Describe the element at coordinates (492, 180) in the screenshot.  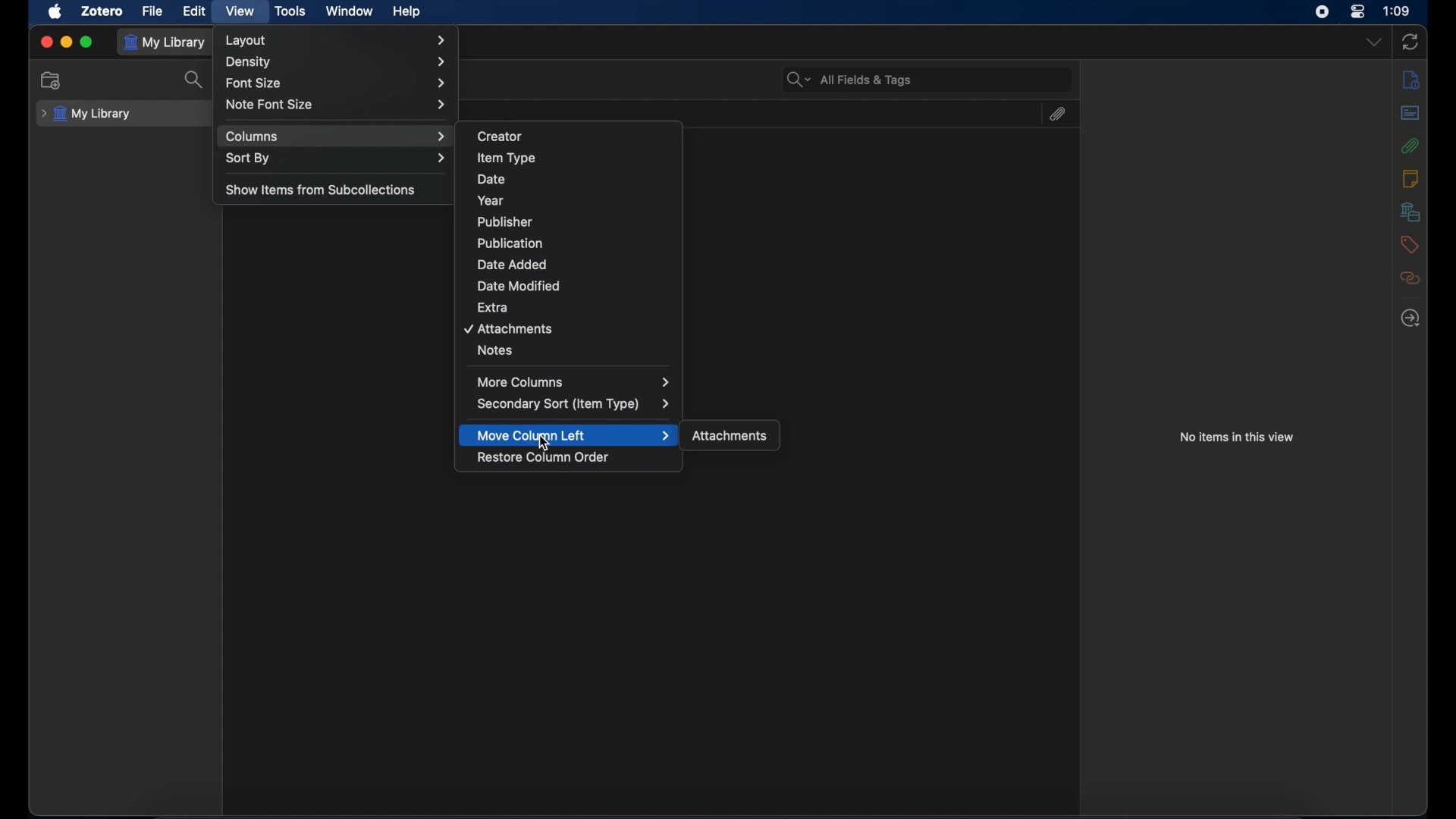
I see `date` at that location.